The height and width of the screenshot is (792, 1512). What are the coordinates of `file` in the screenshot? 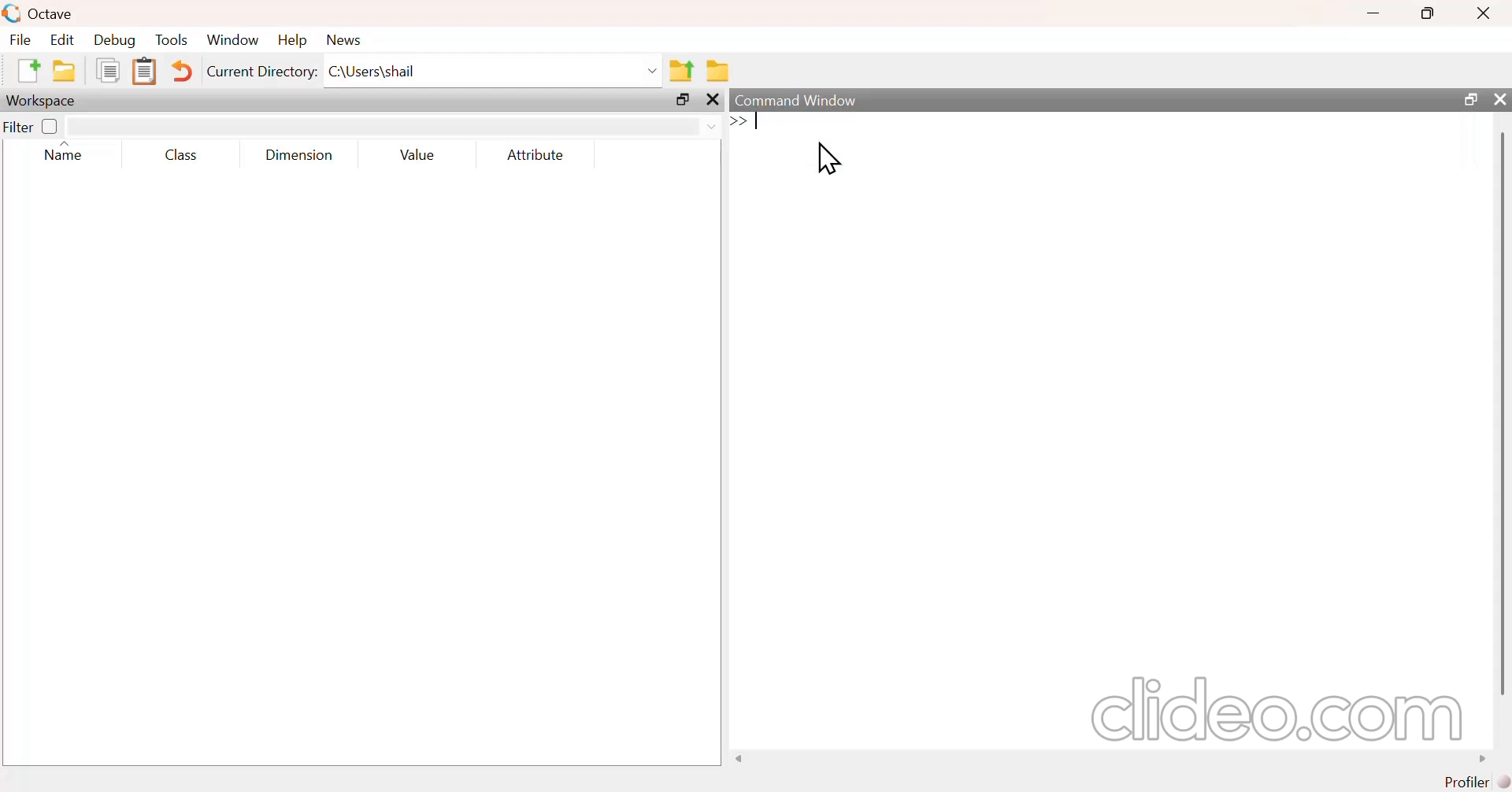 It's located at (19, 39).